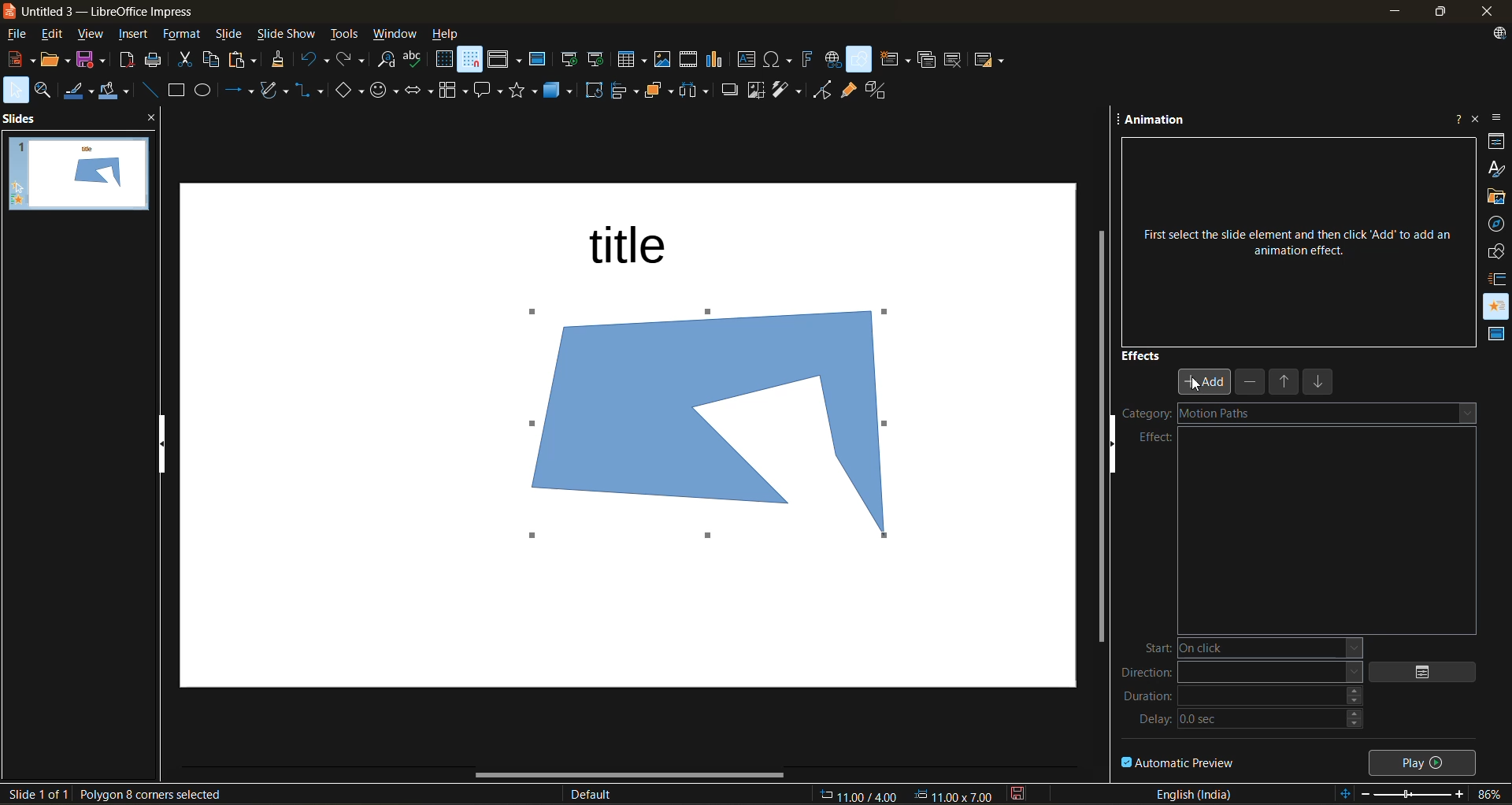  What do you see at coordinates (206, 91) in the screenshot?
I see `ellipse` at bounding box center [206, 91].